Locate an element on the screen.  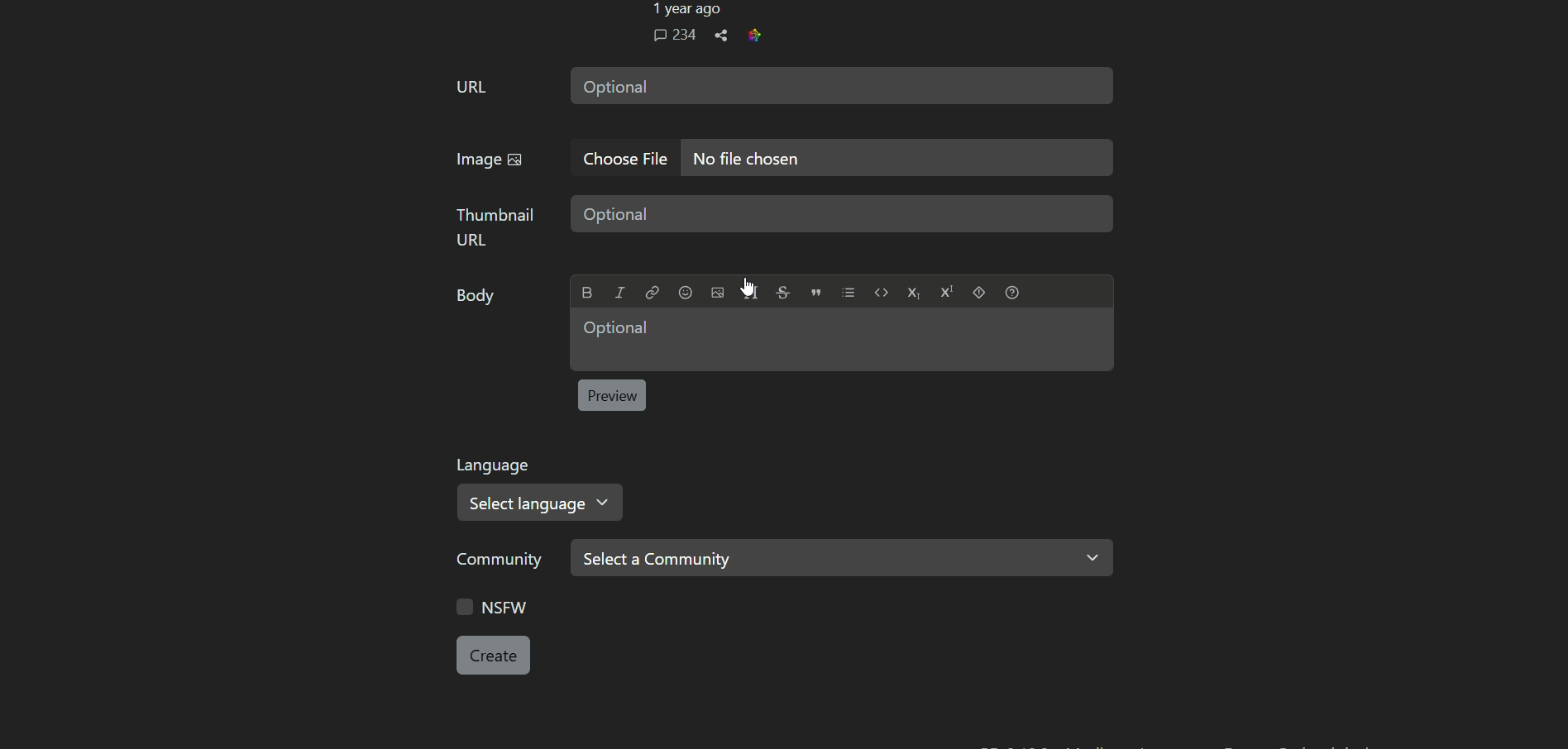
Body is located at coordinates (476, 296).